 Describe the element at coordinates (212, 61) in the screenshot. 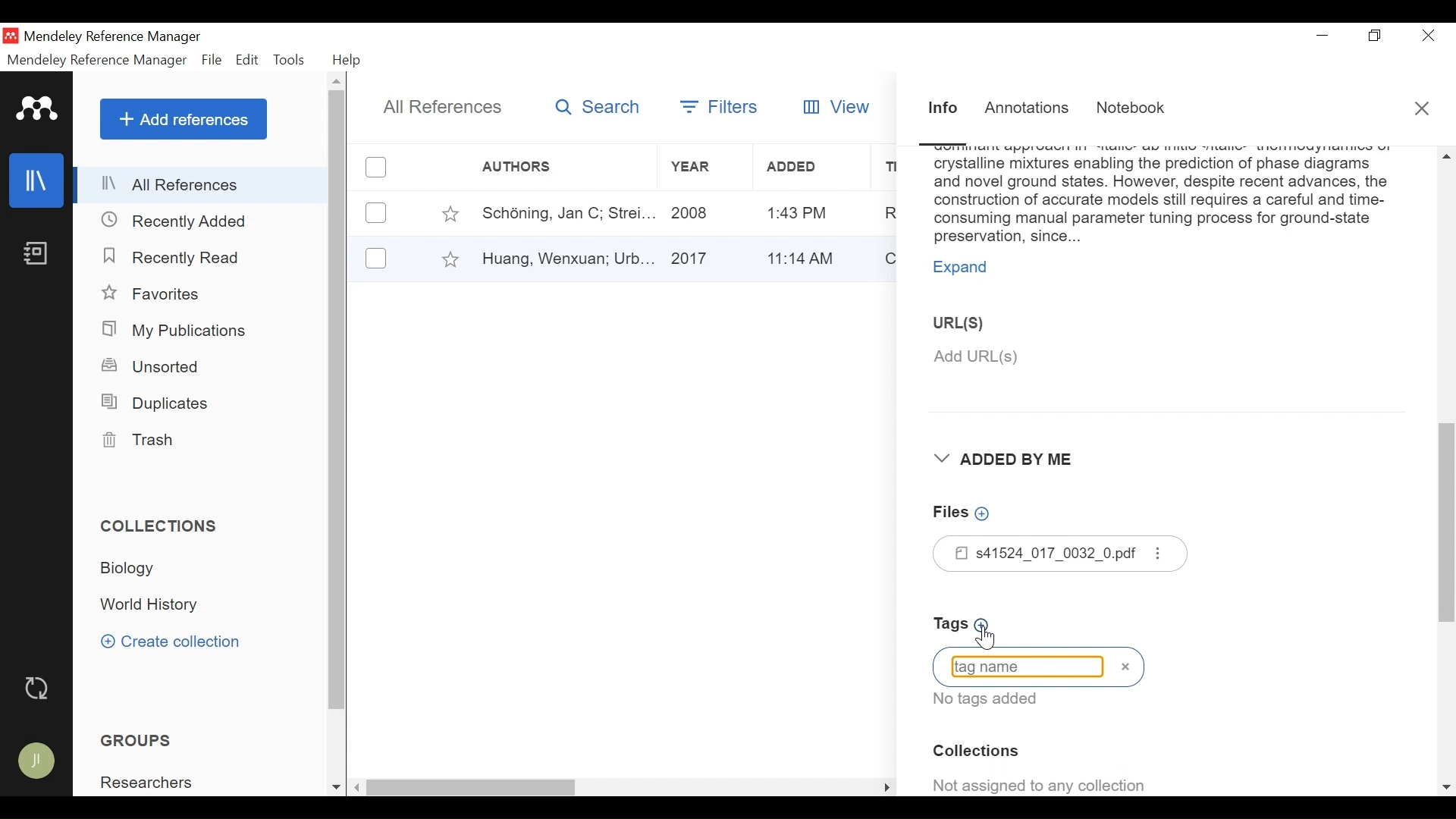

I see `File` at that location.